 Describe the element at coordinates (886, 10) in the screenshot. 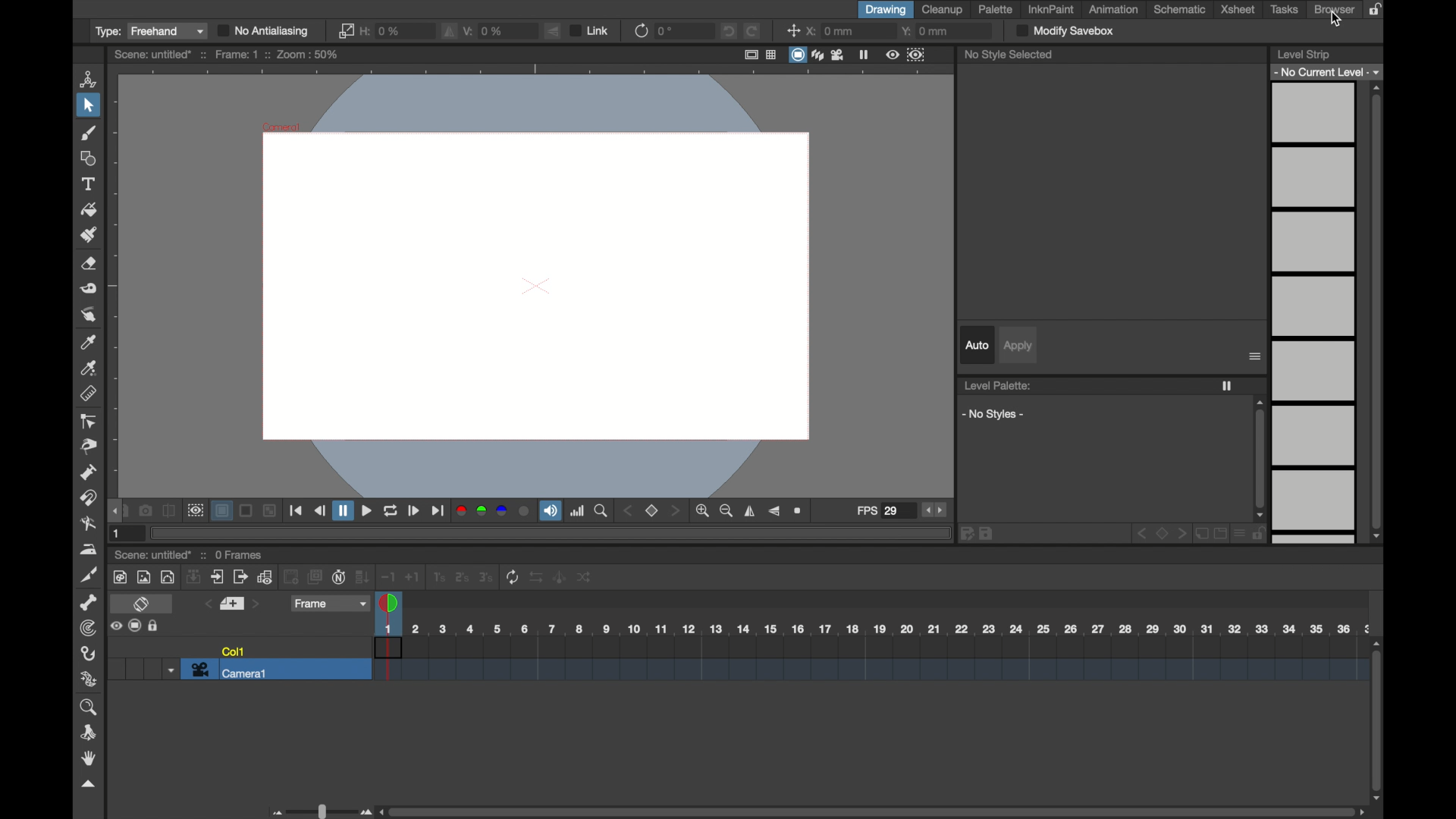

I see `drawing` at that location.